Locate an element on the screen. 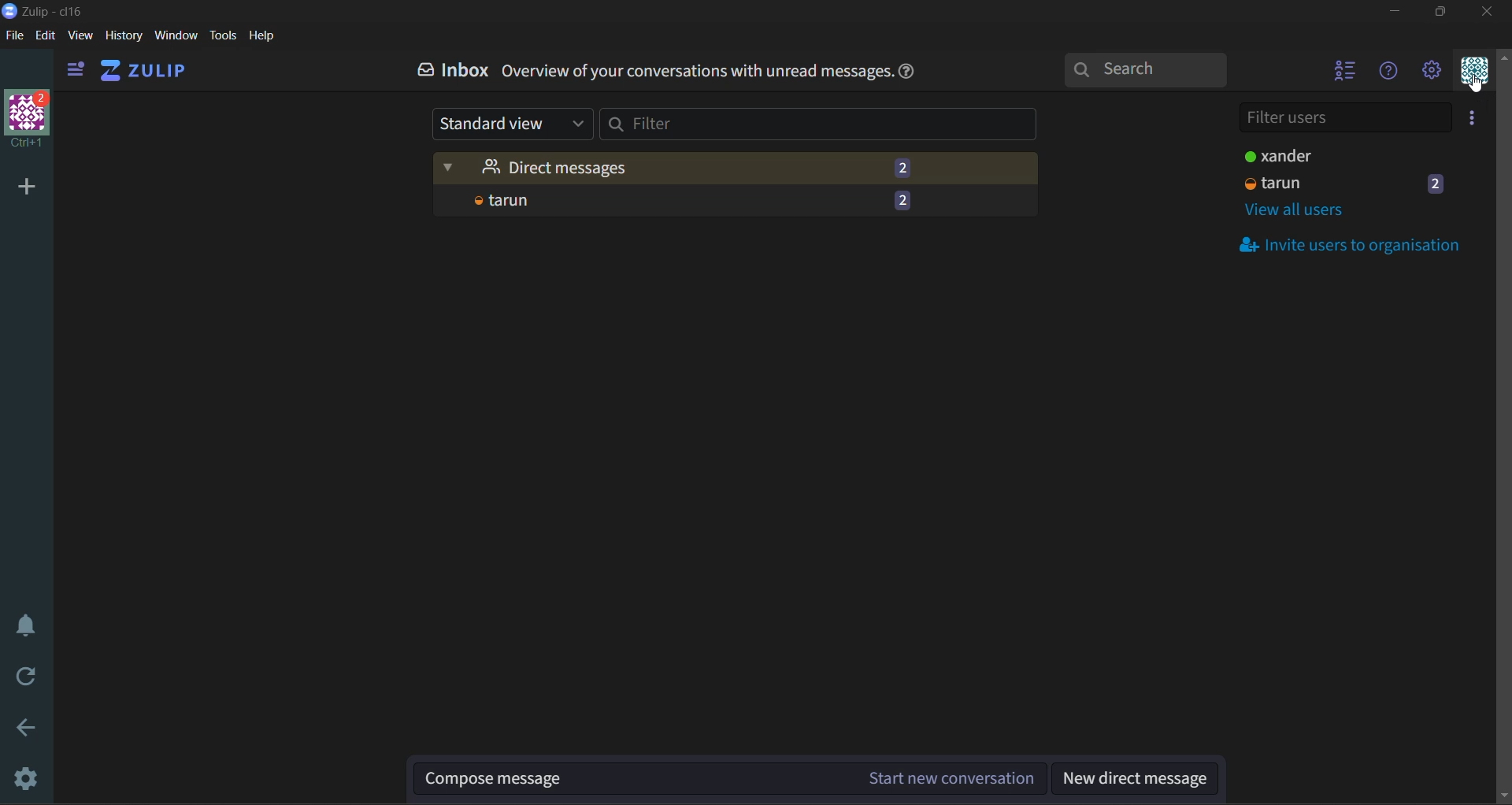 The width and height of the screenshot is (1512, 805). unread messages is located at coordinates (737, 163).